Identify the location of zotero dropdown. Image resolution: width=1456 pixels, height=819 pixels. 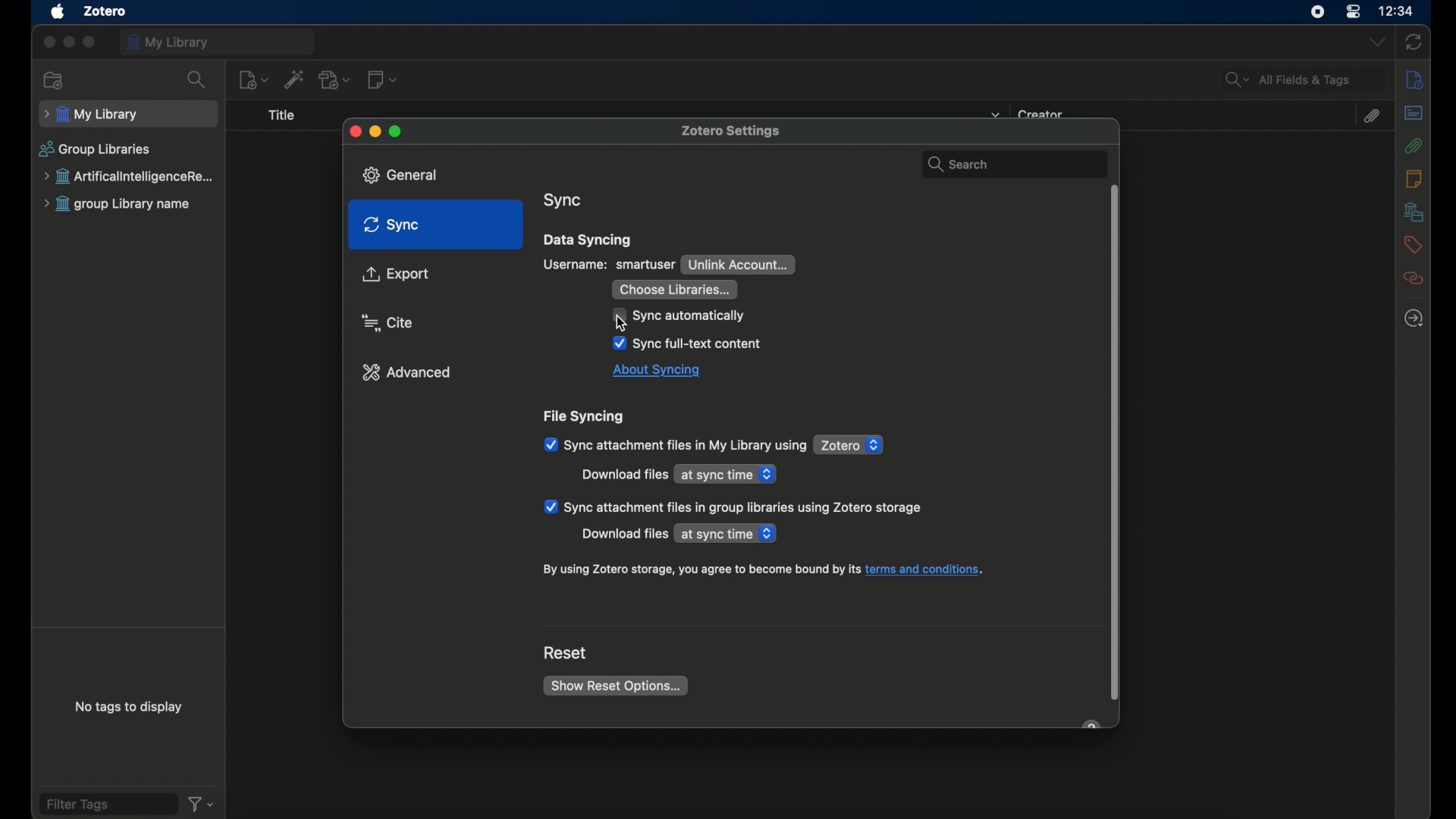
(850, 445).